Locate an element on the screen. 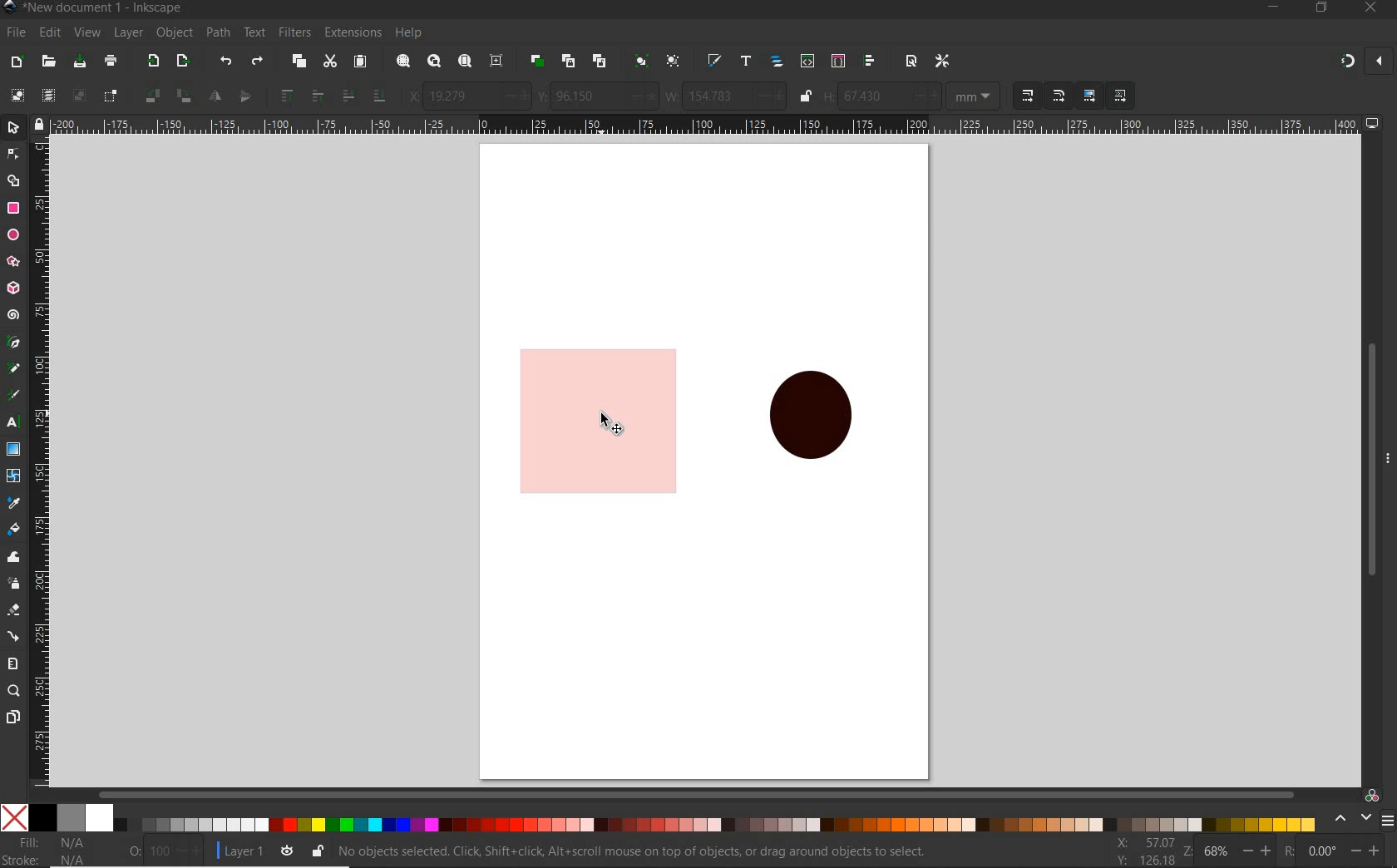 The height and width of the screenshot is (868, 1397). cut is located at coordinates (330, 61).